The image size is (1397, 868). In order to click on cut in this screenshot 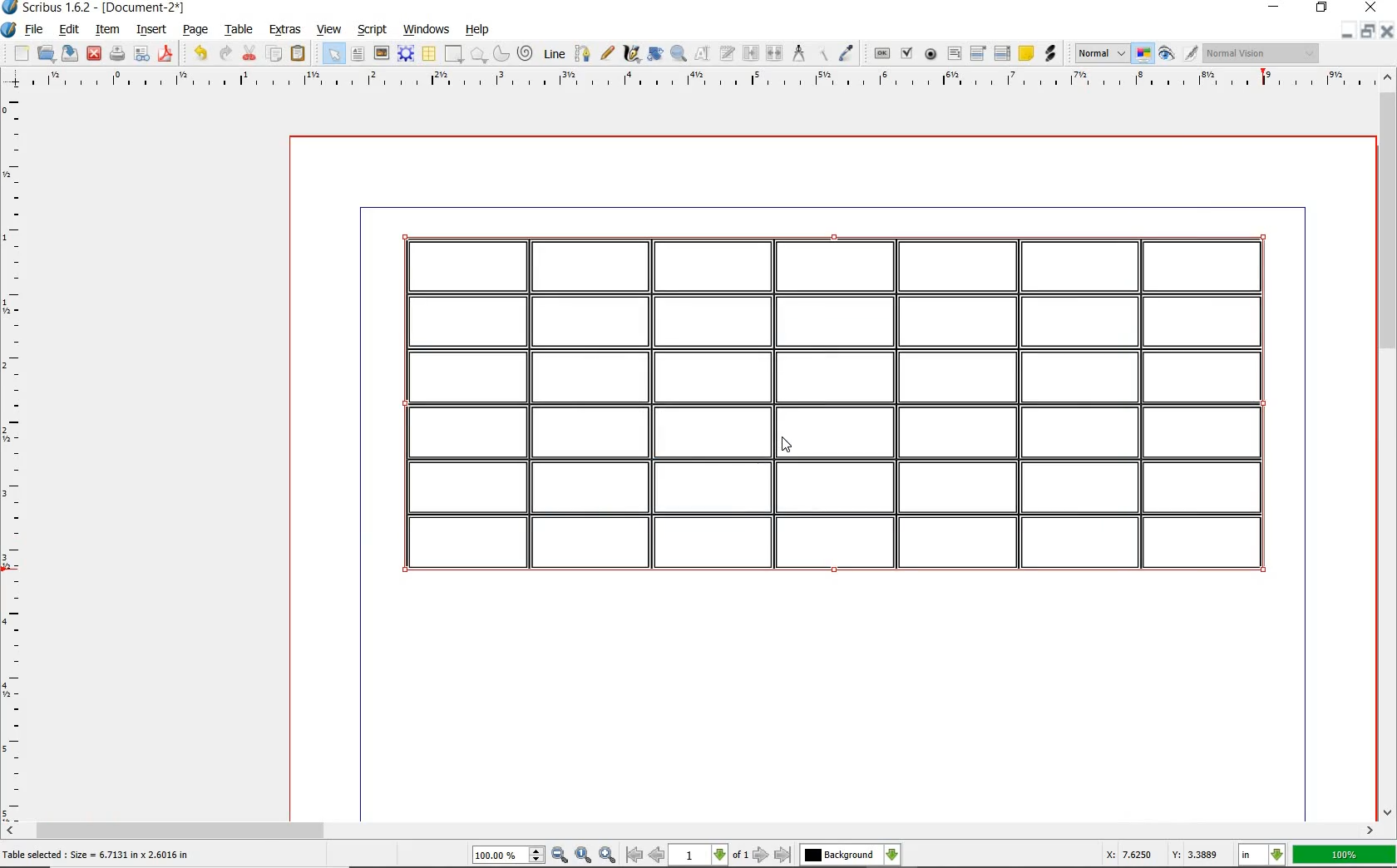, I will do `click(249, 52)`.